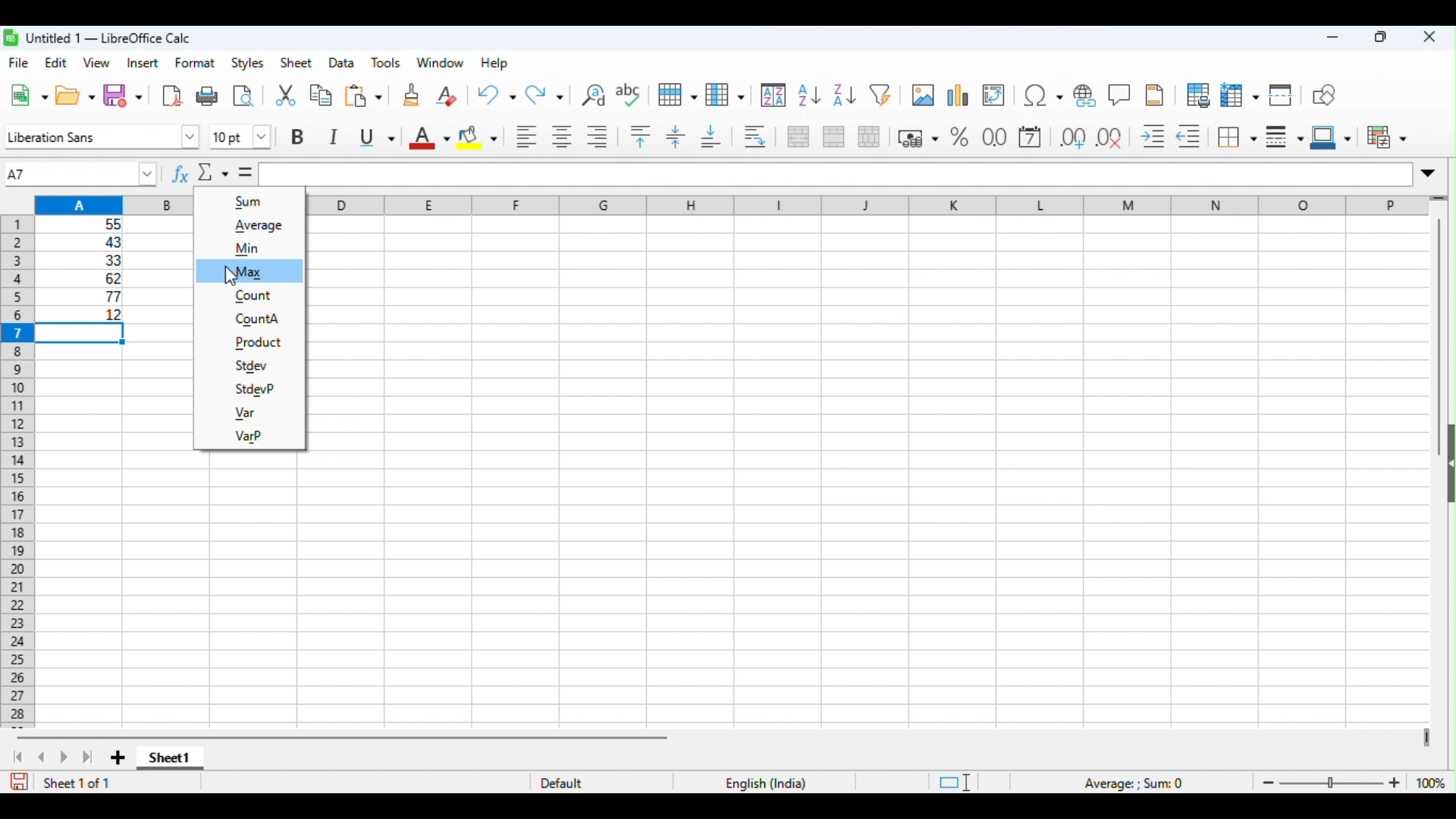  What do you see at coordinates (961, 138) in the screenshot?
I see `format as percentage` at bounding box center [961, 138].